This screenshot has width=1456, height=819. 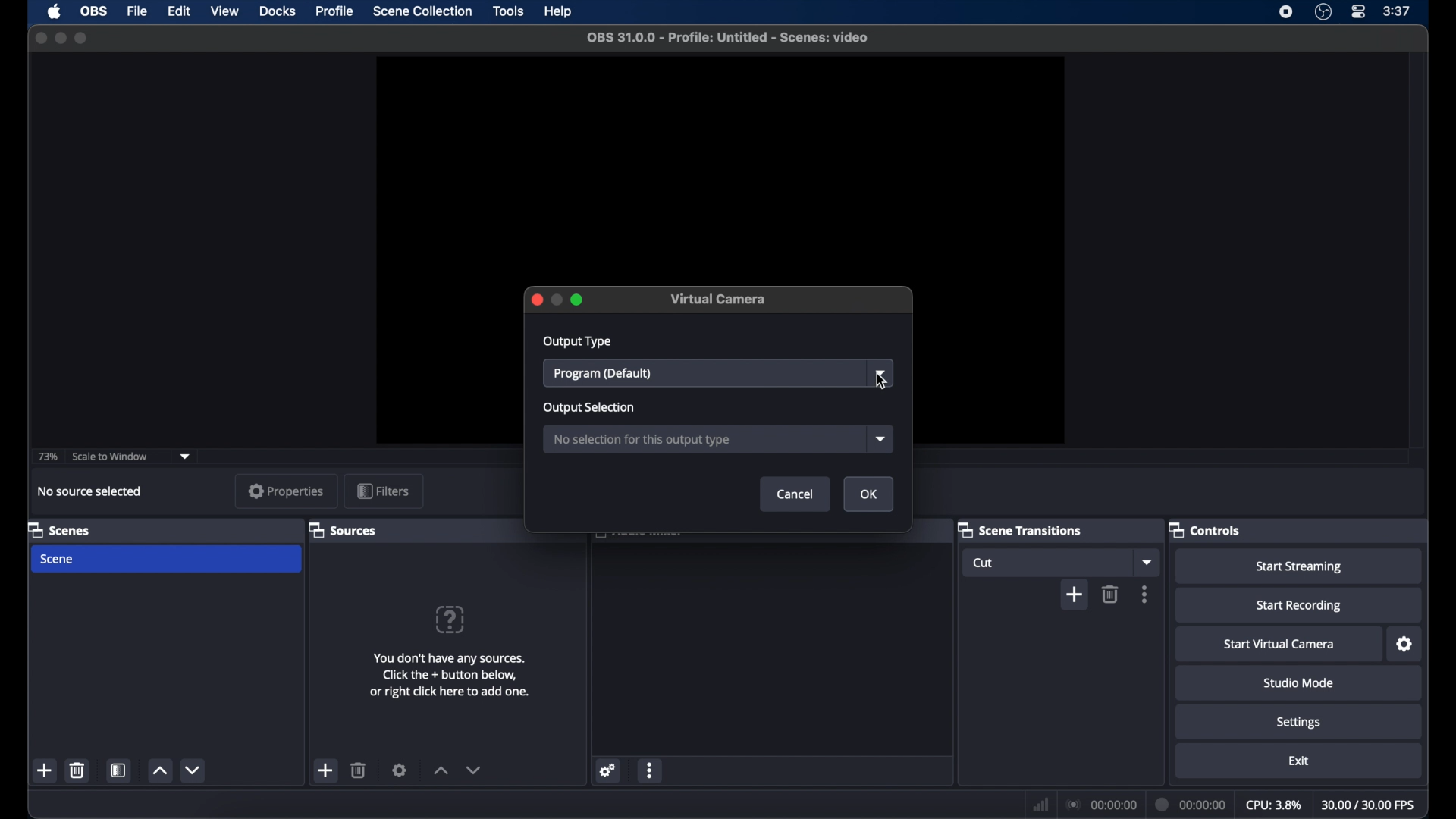 What do you see at coordinates (882, 373) in the screenshot?
I see `dropdown` at bounding box center [882, 373].